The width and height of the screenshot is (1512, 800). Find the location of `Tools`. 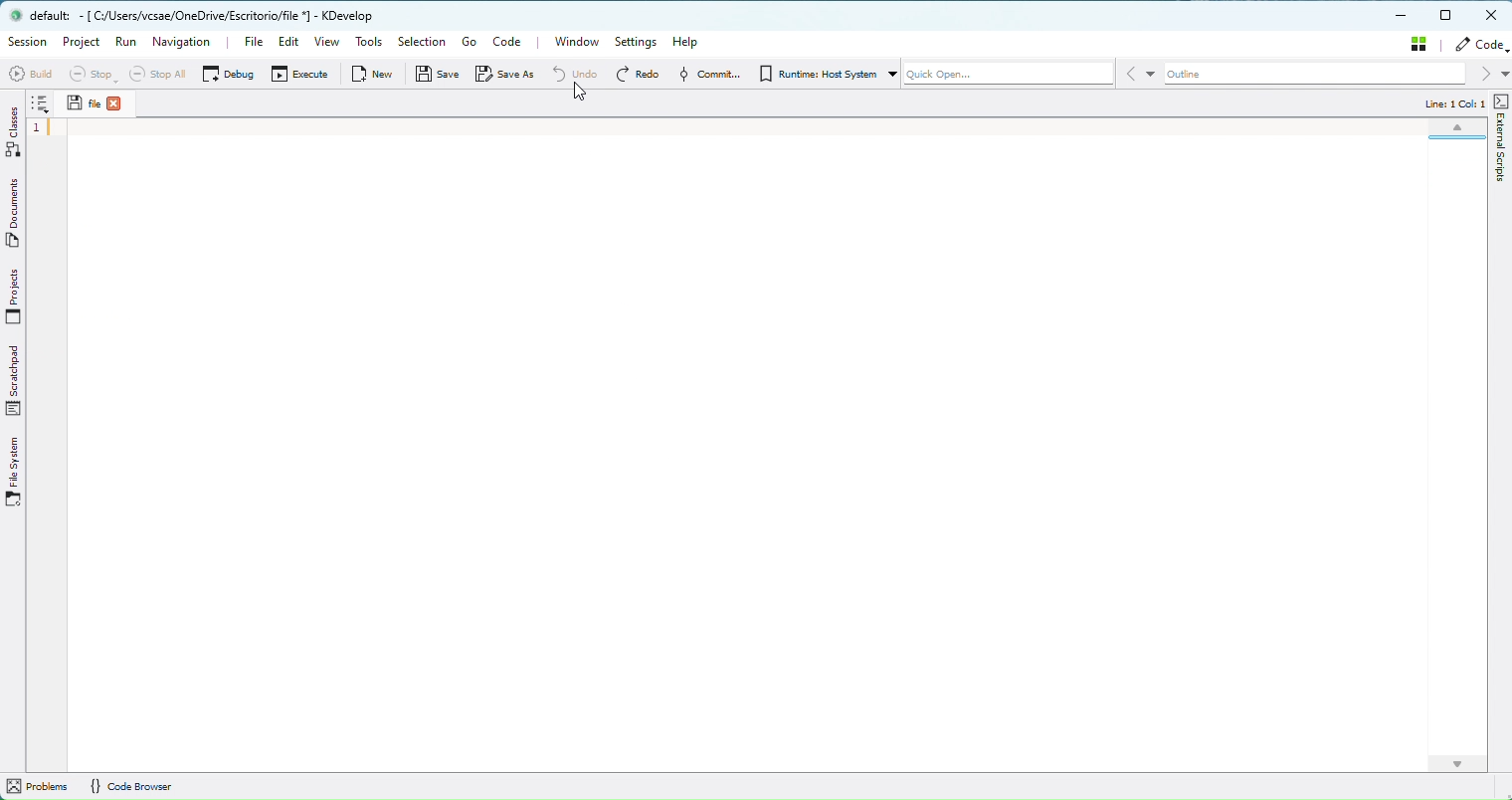

Tools is located at coordinates (369, 44).